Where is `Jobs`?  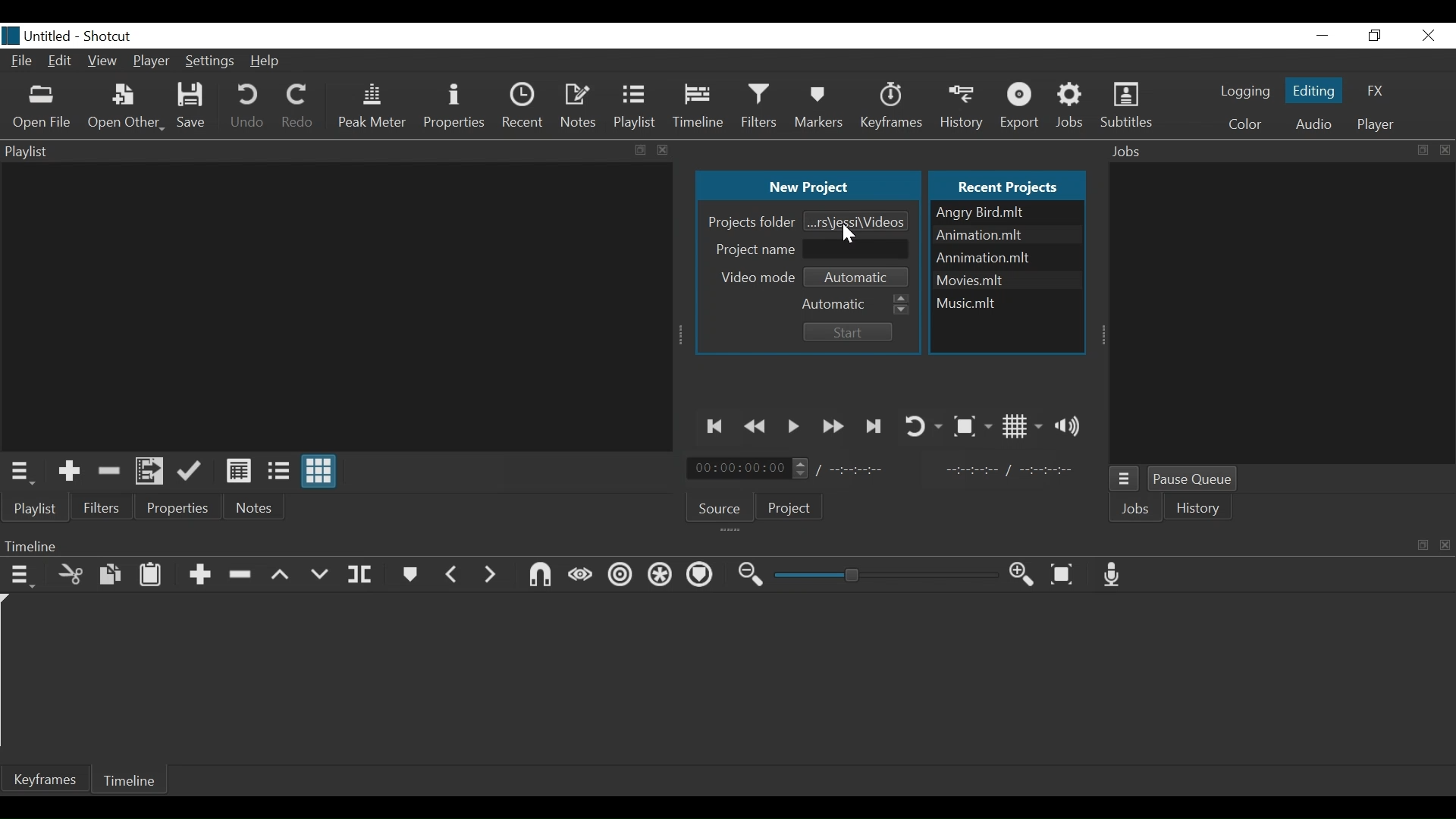
Jobs is located at coordinates (1075, 105).